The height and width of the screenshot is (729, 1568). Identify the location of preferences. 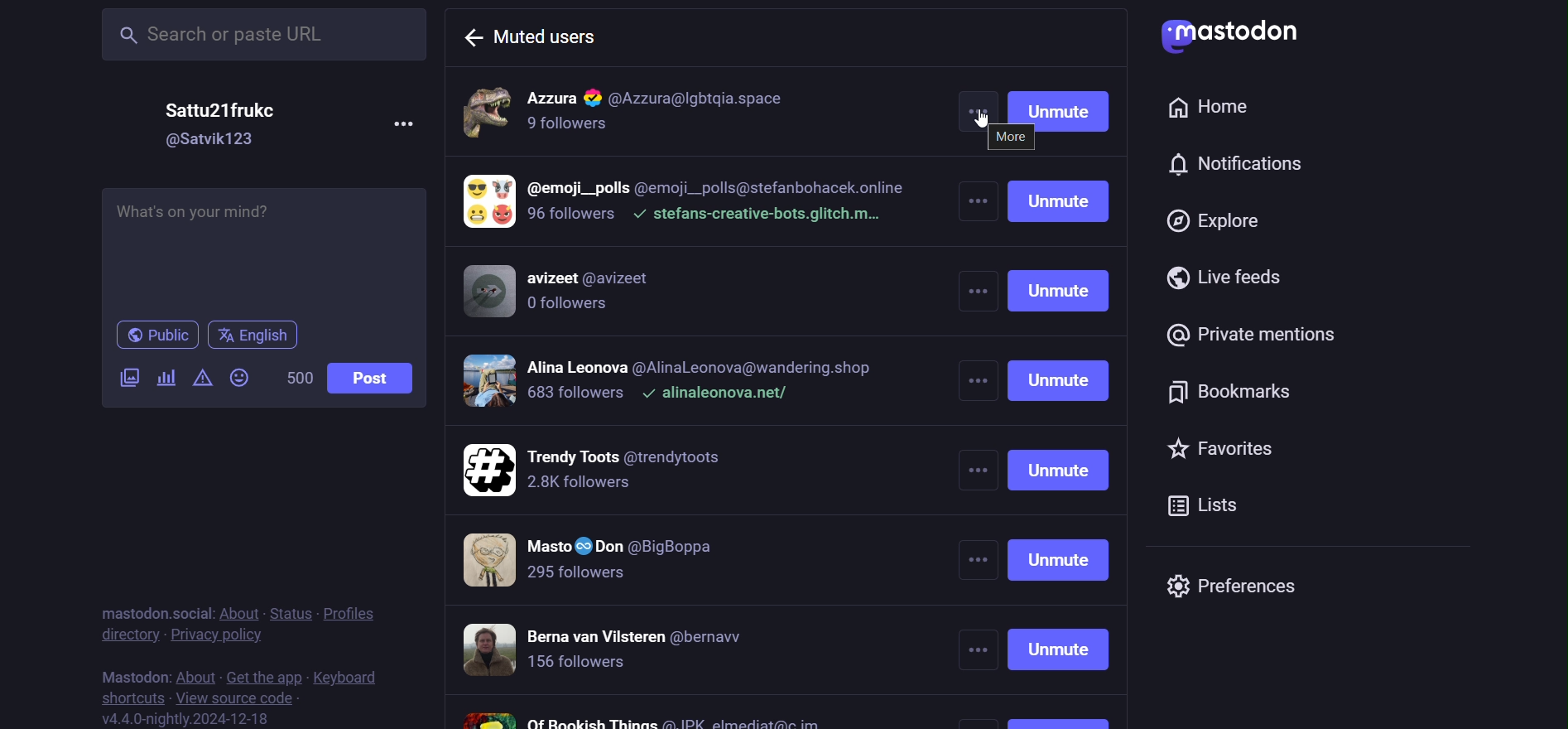
(1238, 586).